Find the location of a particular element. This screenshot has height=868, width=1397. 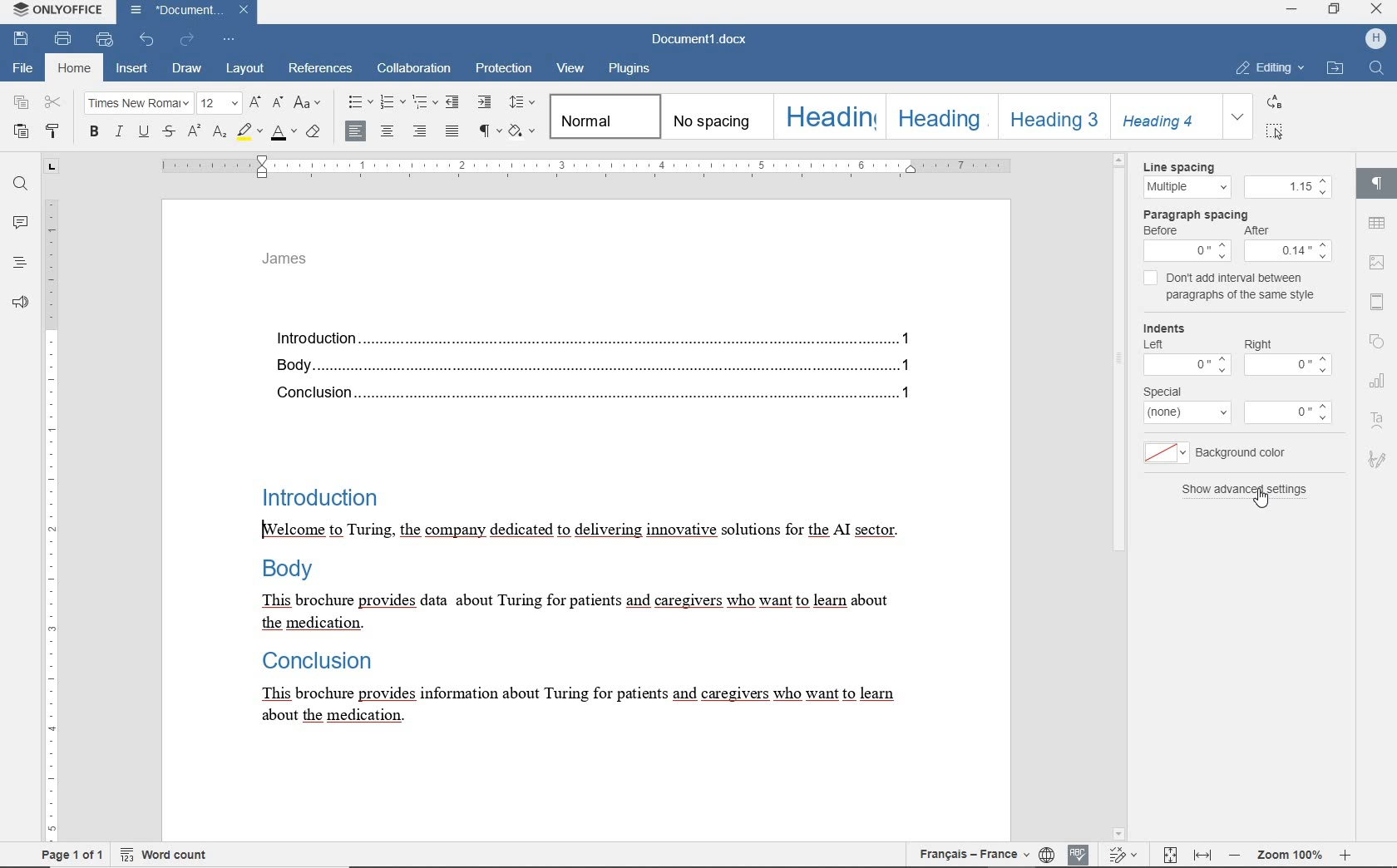

increment font size is located at coordinates (255, 103).